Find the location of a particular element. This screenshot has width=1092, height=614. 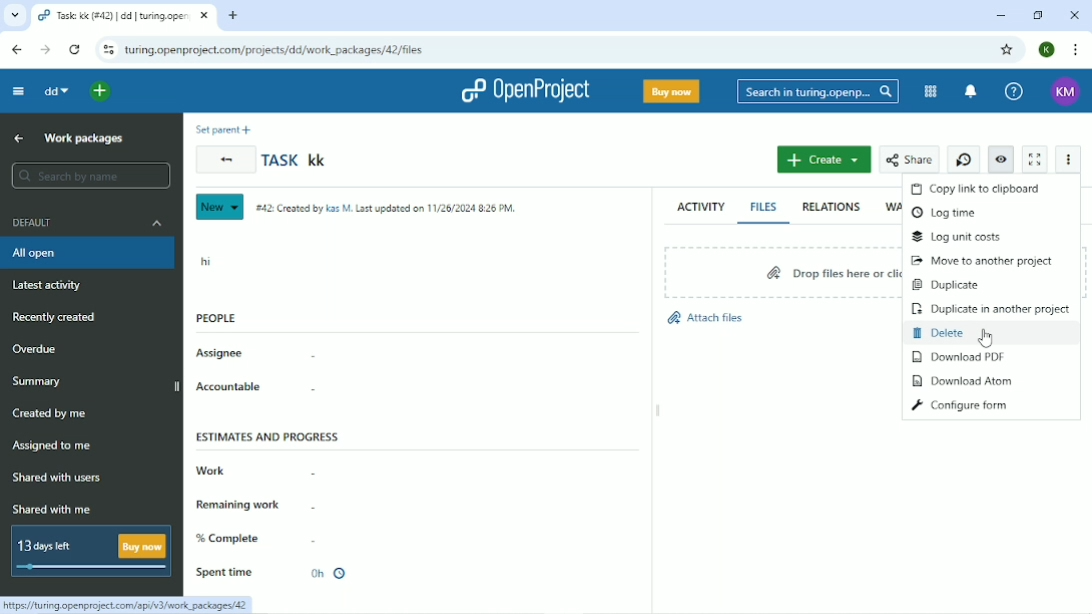

Overdue is located at coordinates (35, 350).